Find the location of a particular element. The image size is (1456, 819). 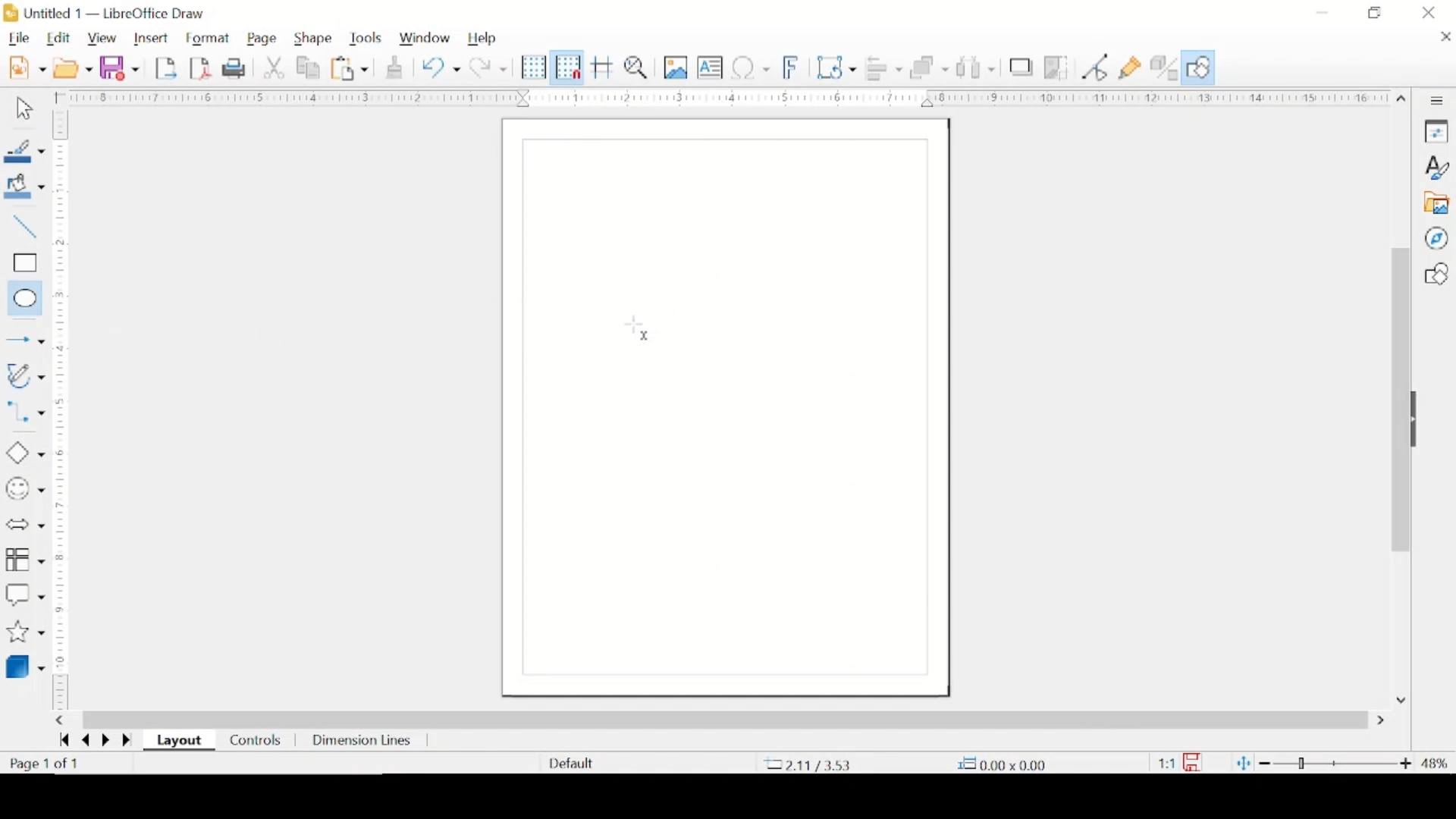

restore down is located at coordinates (1376, 13).